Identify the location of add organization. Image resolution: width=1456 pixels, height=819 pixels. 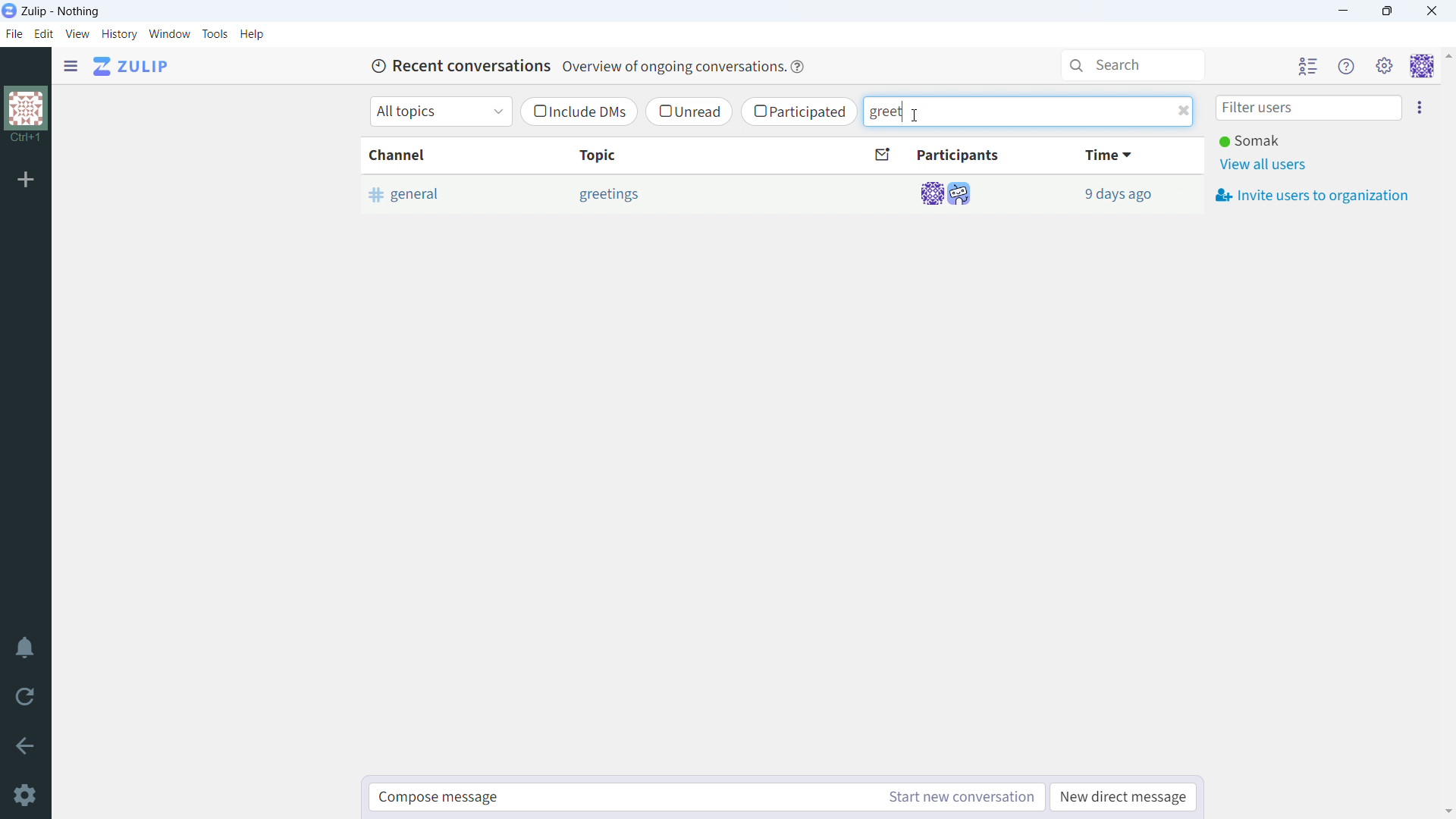
(24, 180).